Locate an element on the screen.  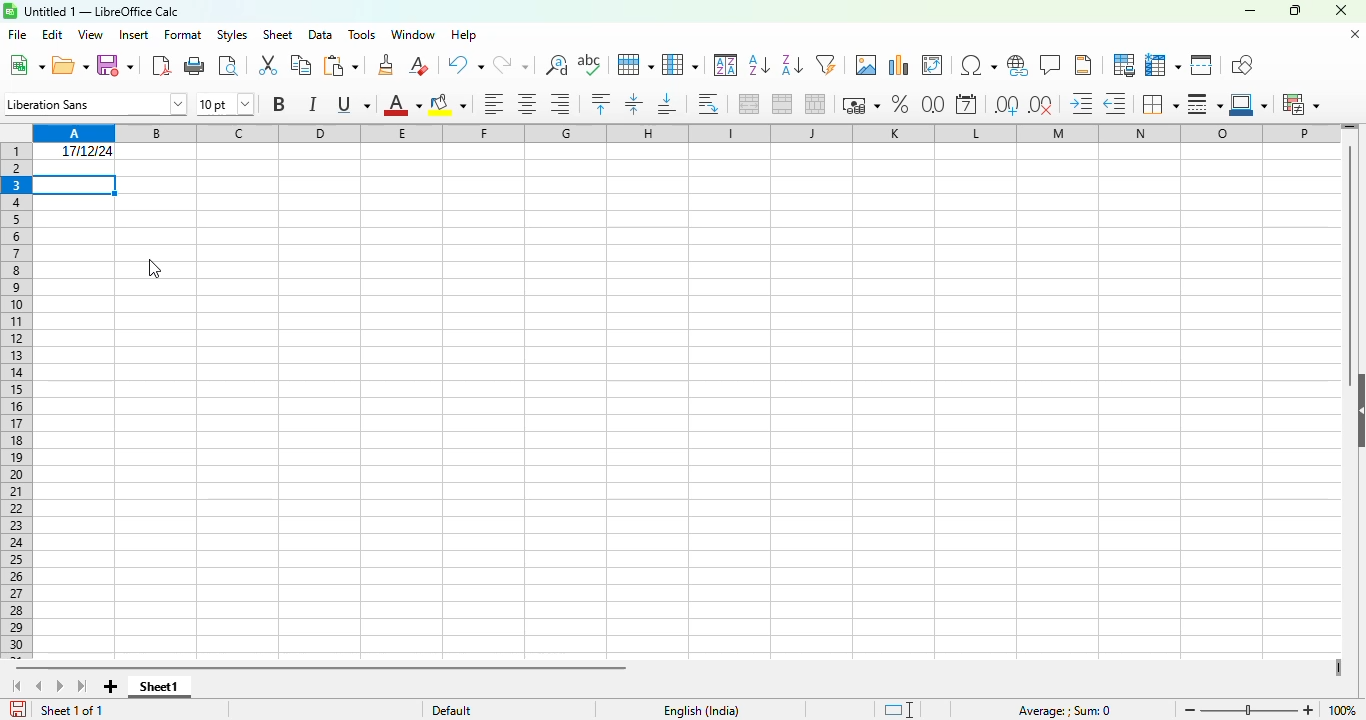
sort is located at coordinates (726, 65).